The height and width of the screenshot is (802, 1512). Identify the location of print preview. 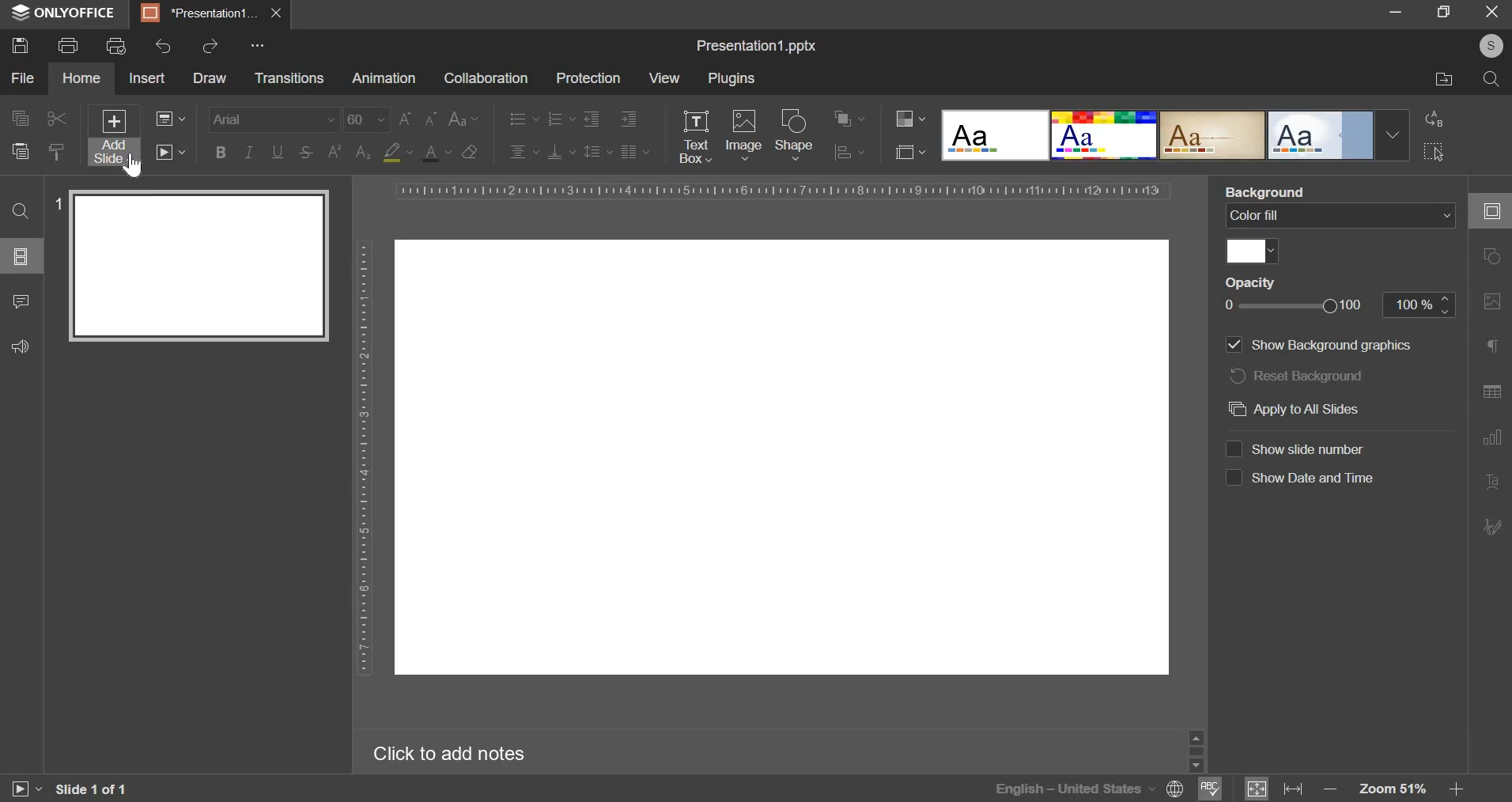
(116, 46).